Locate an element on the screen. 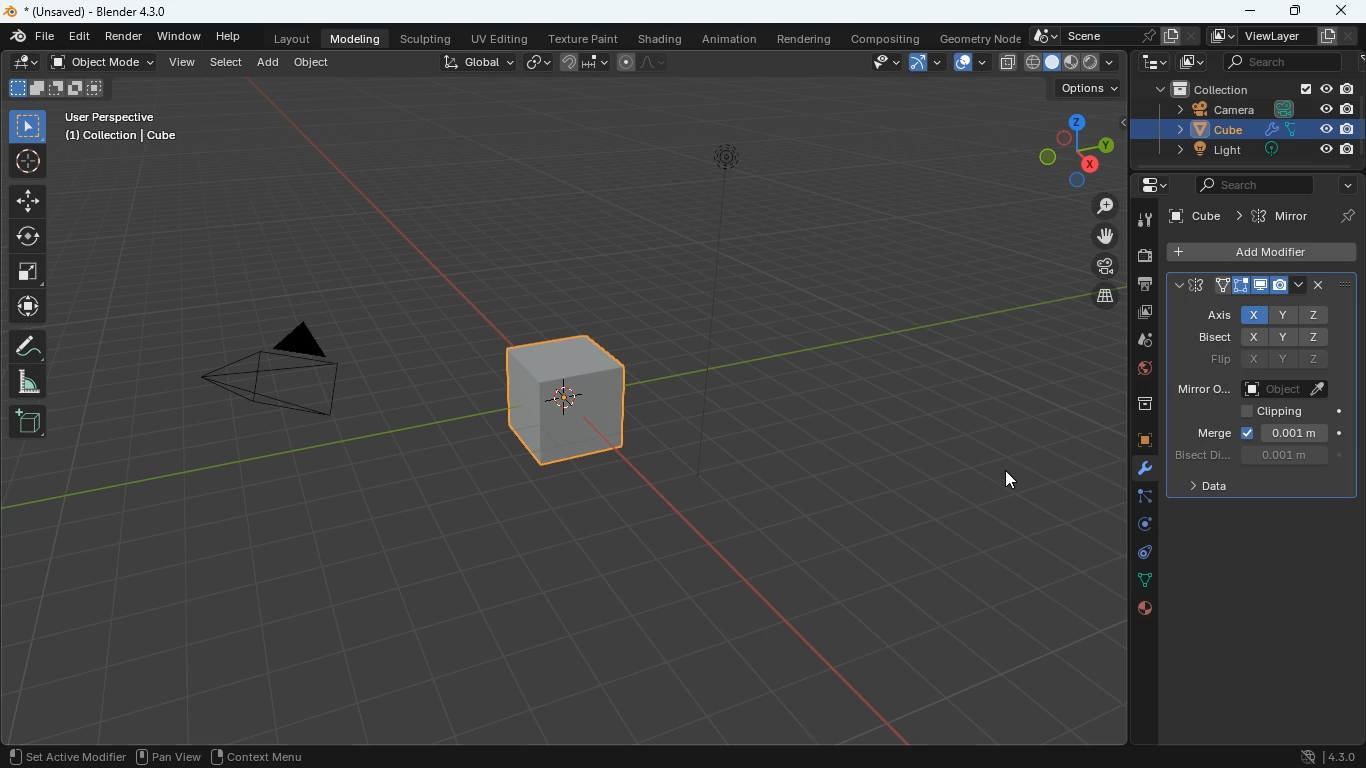 The height and width of the screenshot is (768, 1366). link is located at coordinates (540, 63).